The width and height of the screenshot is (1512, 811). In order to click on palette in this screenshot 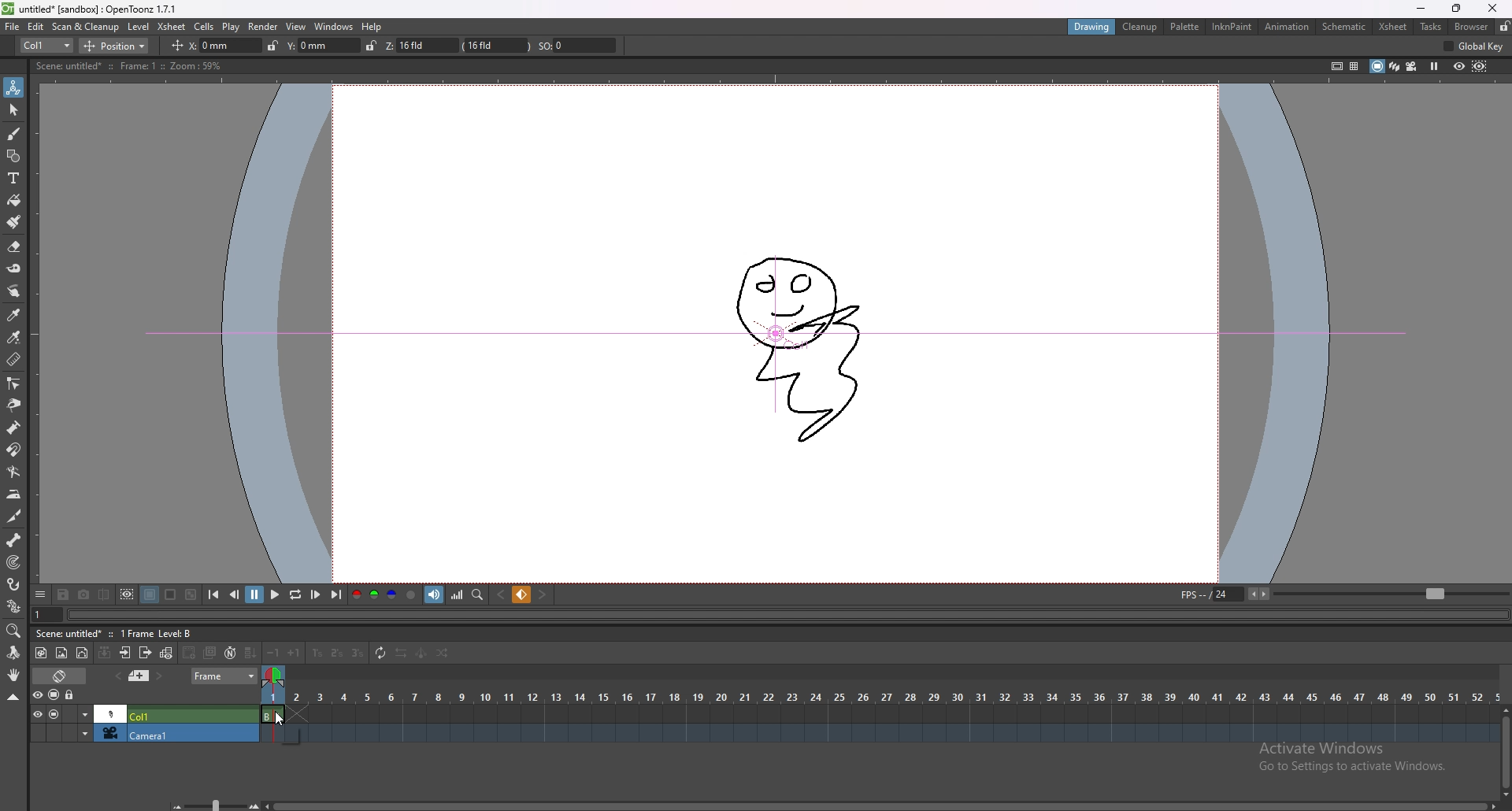, I will do `click(1185, 26)`.